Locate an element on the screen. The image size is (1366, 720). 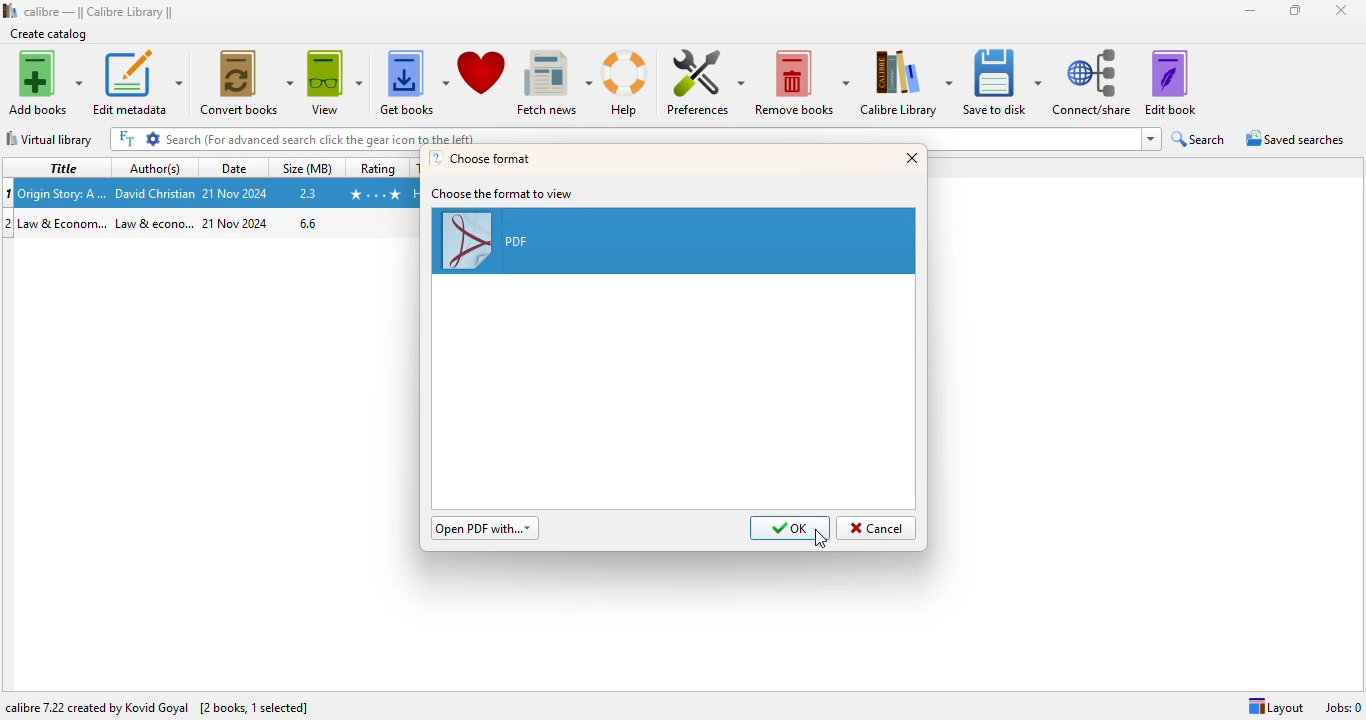
view is located at coordinates (336, 84).